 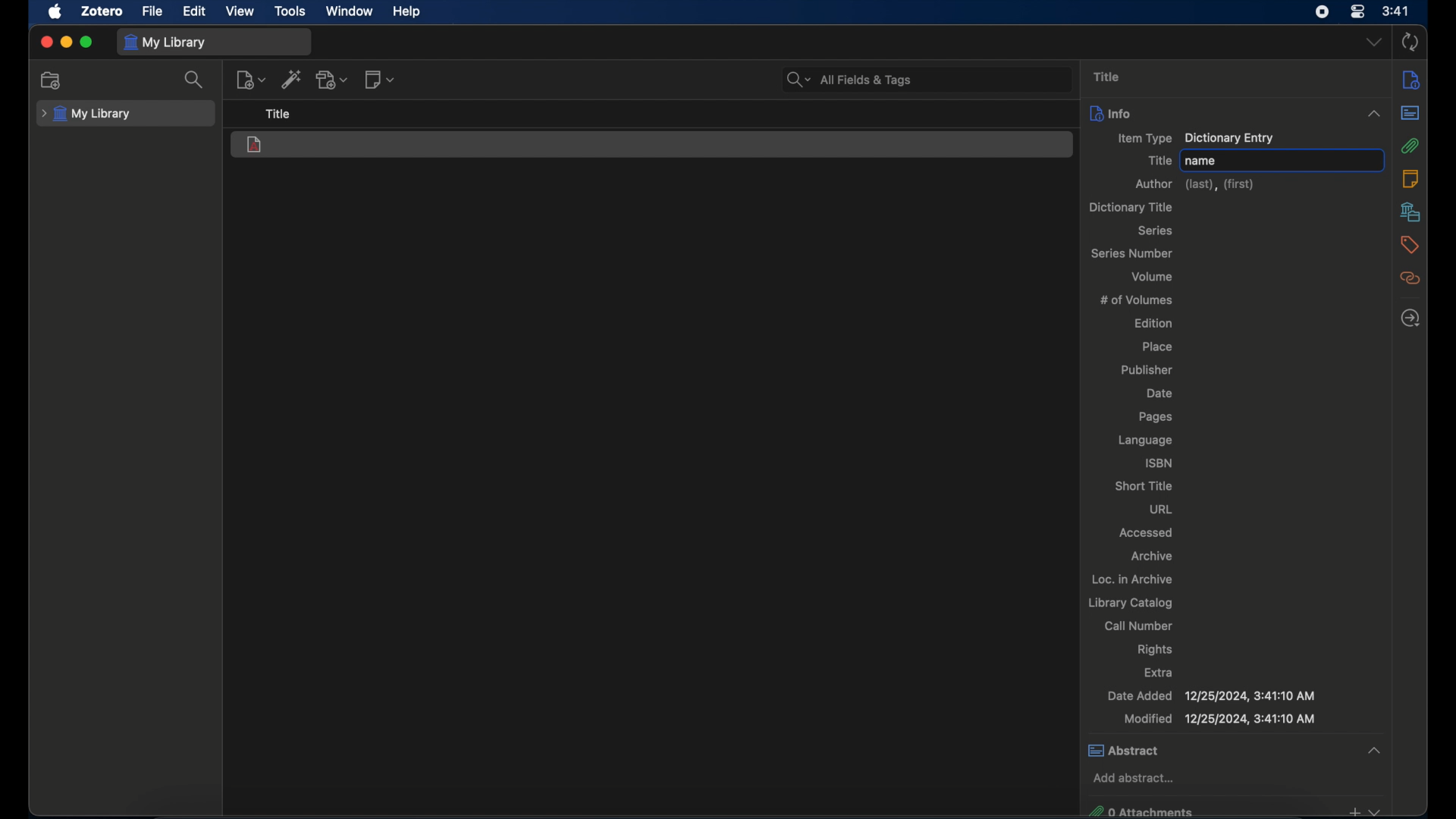 I want to click on author, so click(x=1197, y=185).